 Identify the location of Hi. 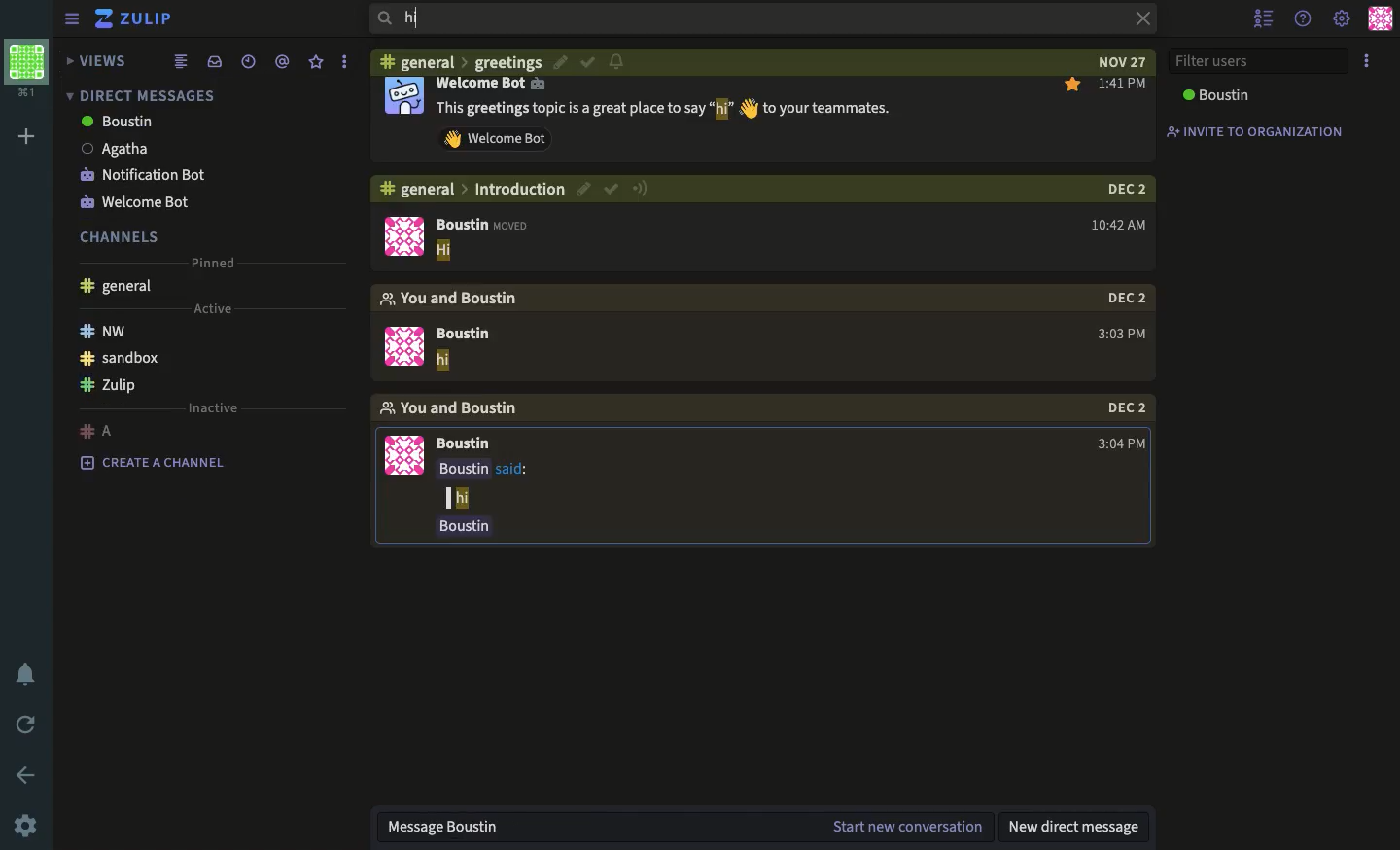
(446, 252).